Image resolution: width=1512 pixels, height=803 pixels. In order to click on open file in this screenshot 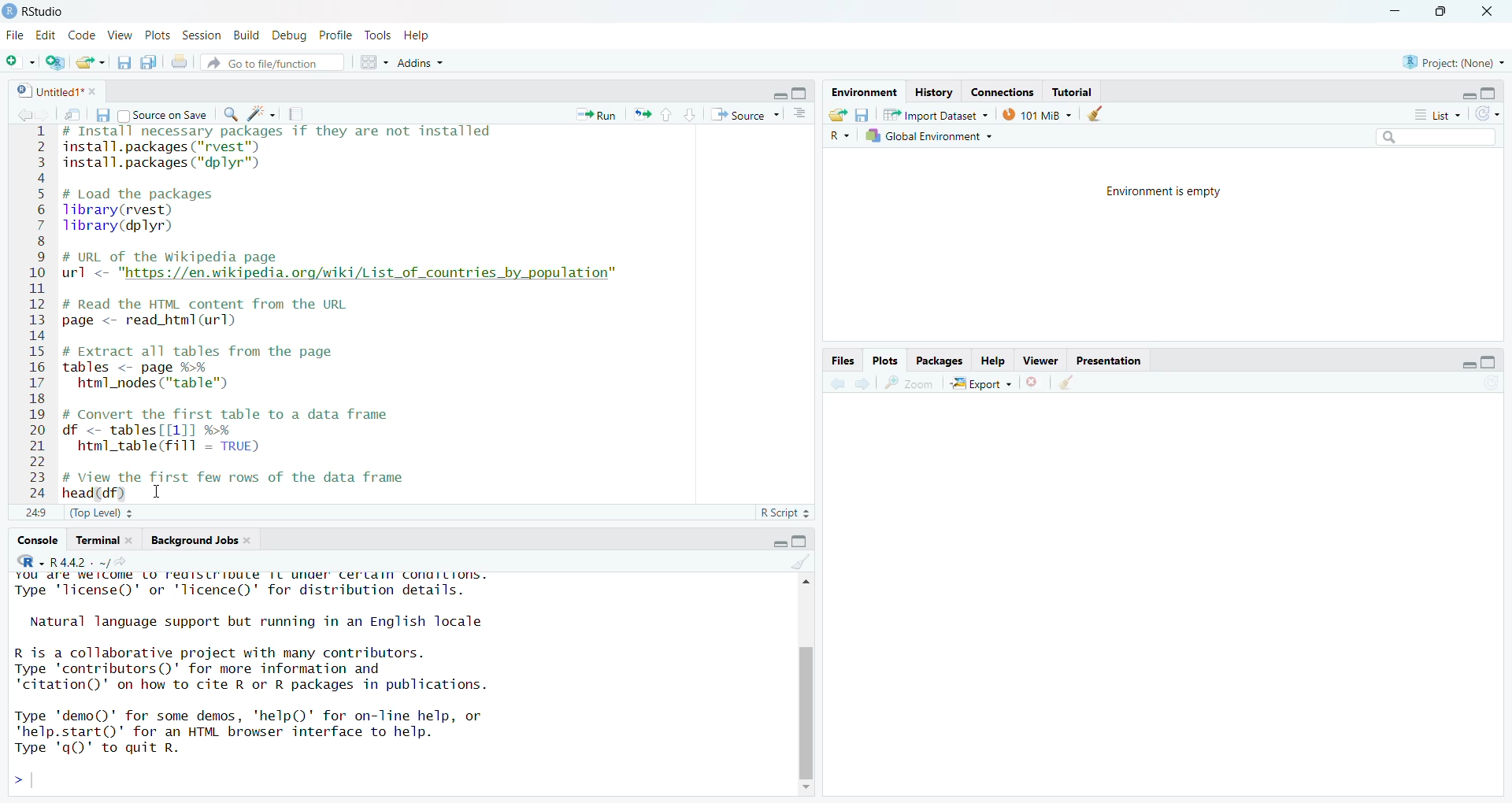, I will do `click(93, 62)`.